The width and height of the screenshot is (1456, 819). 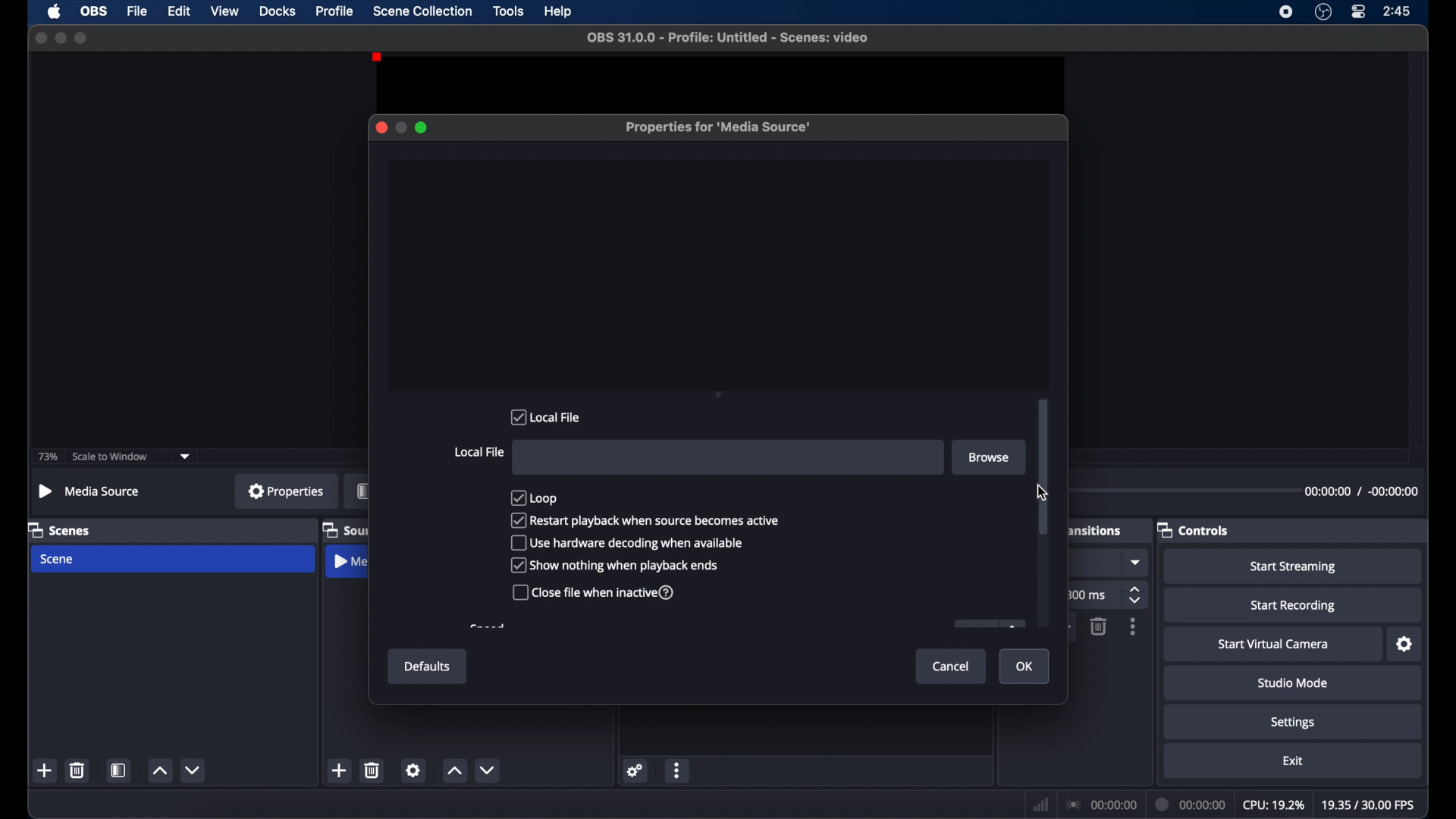 What do you see at coordinates (614, 565) in the screenshot?
I see `checkbox` at bounding box center [614, 565].